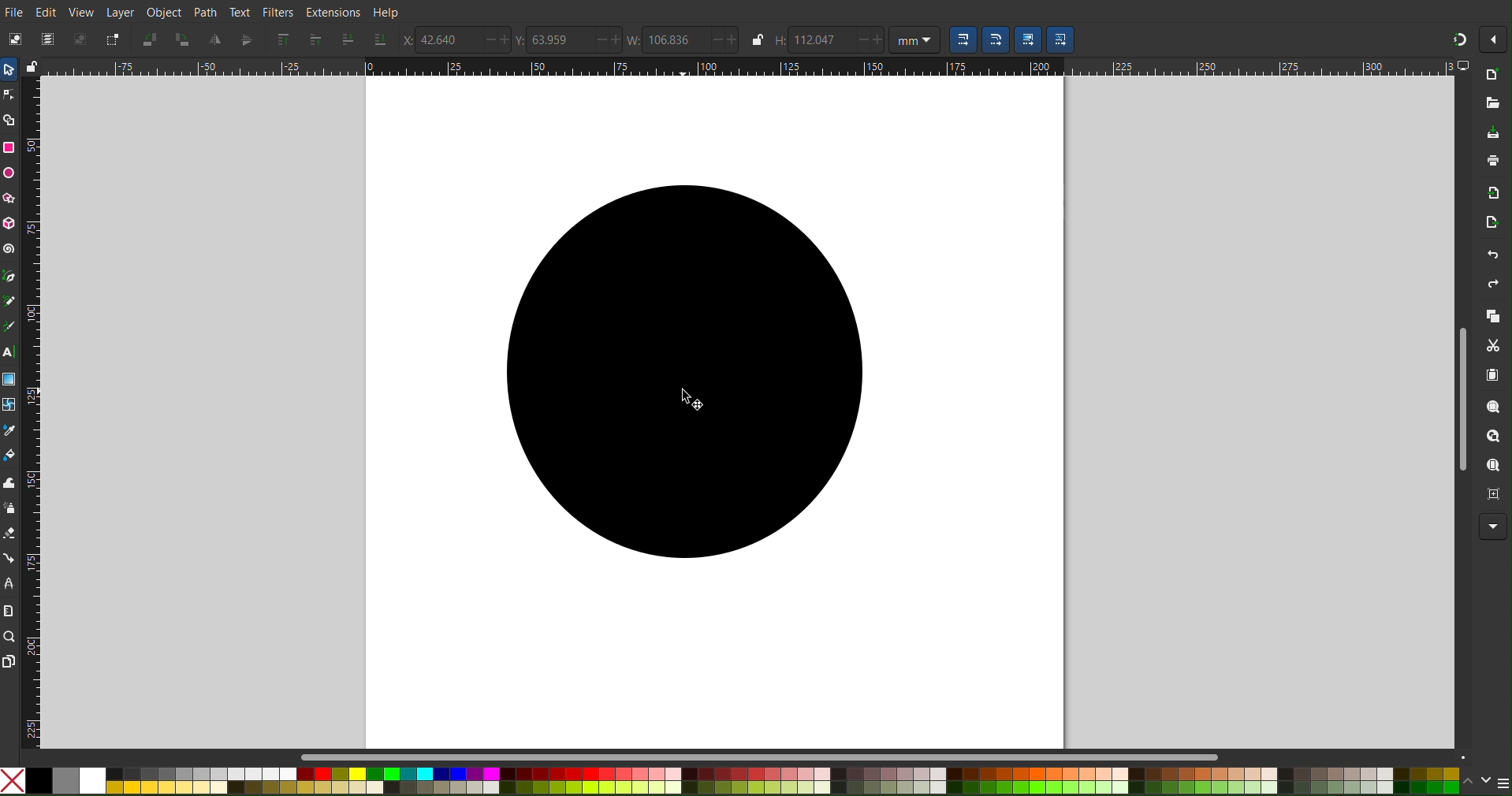  Describe the element at coordinates (1494, 378) in the screenshot. I see `Paste` at that location.